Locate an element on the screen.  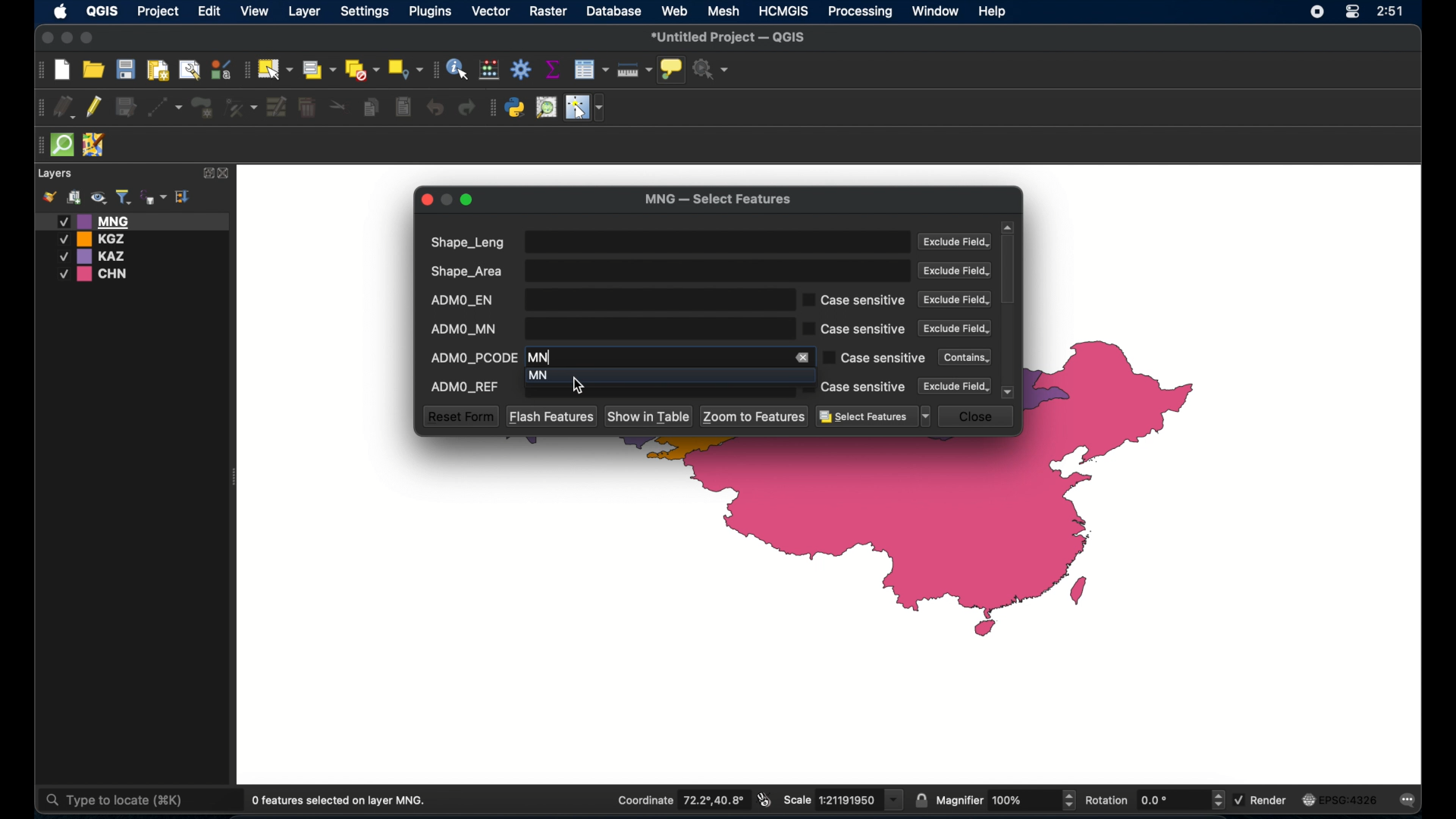
MNG - Select features is located at coordinates (718, 200).